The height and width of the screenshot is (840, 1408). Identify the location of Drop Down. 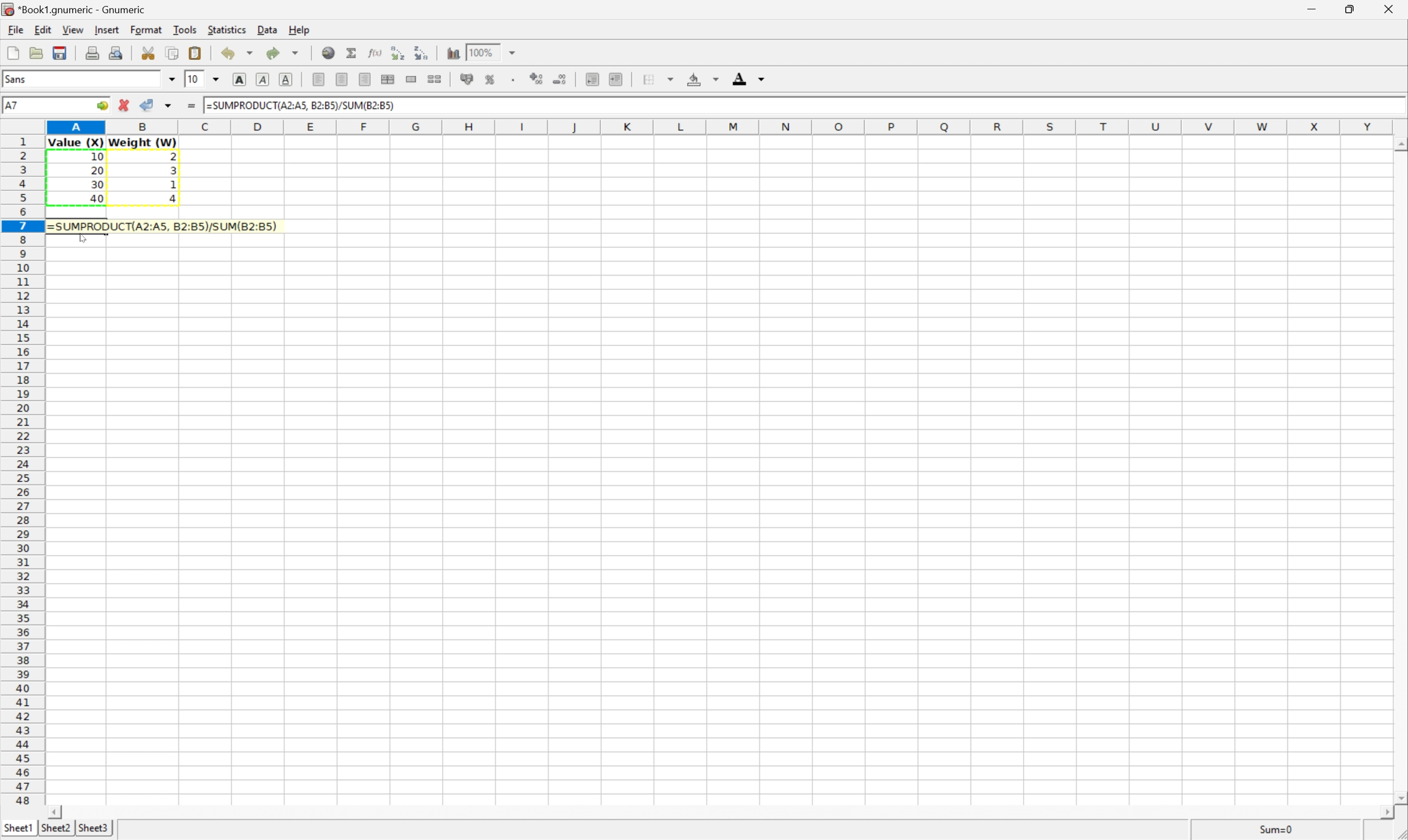
(172, 79).